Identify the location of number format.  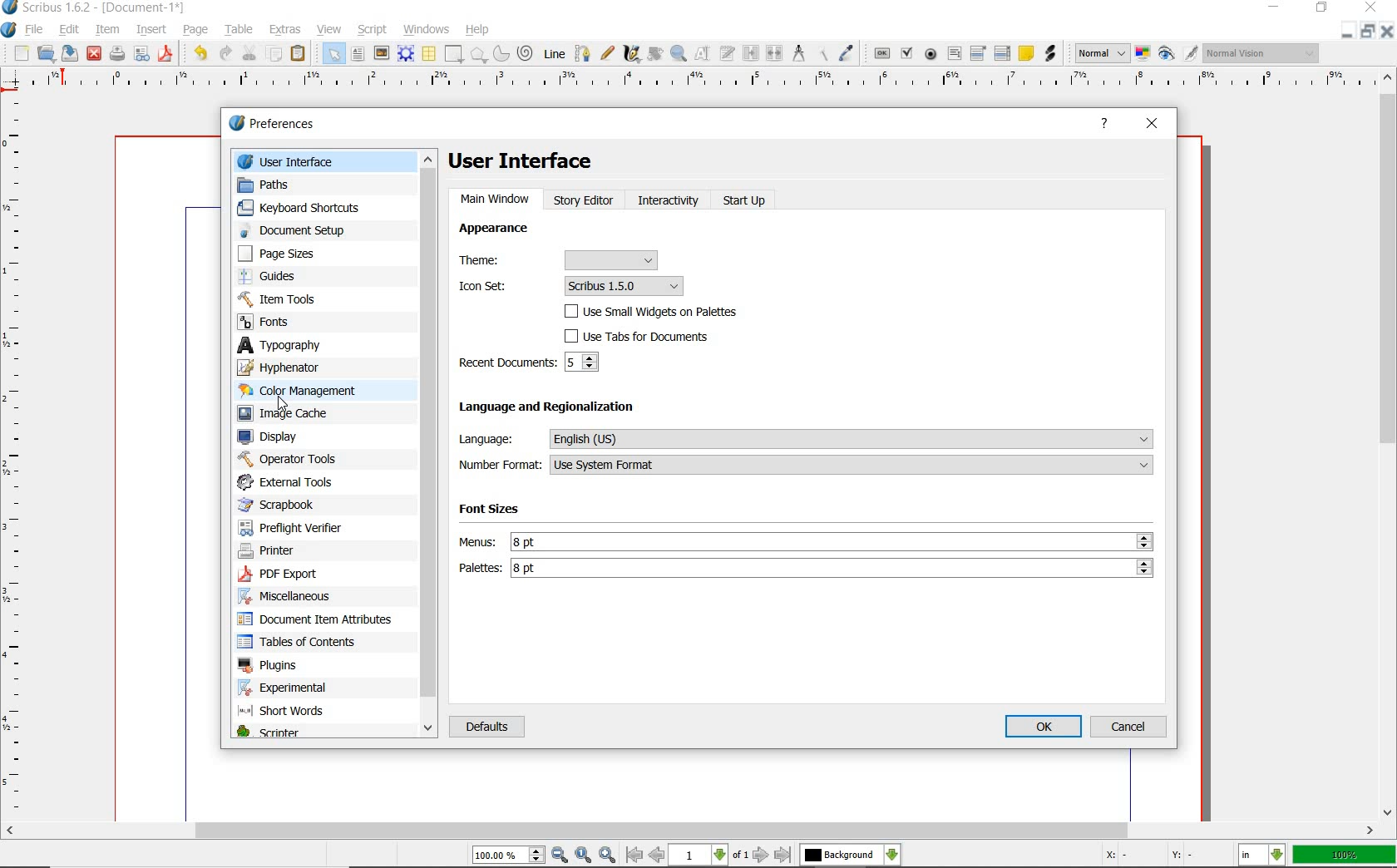
(805, 465).